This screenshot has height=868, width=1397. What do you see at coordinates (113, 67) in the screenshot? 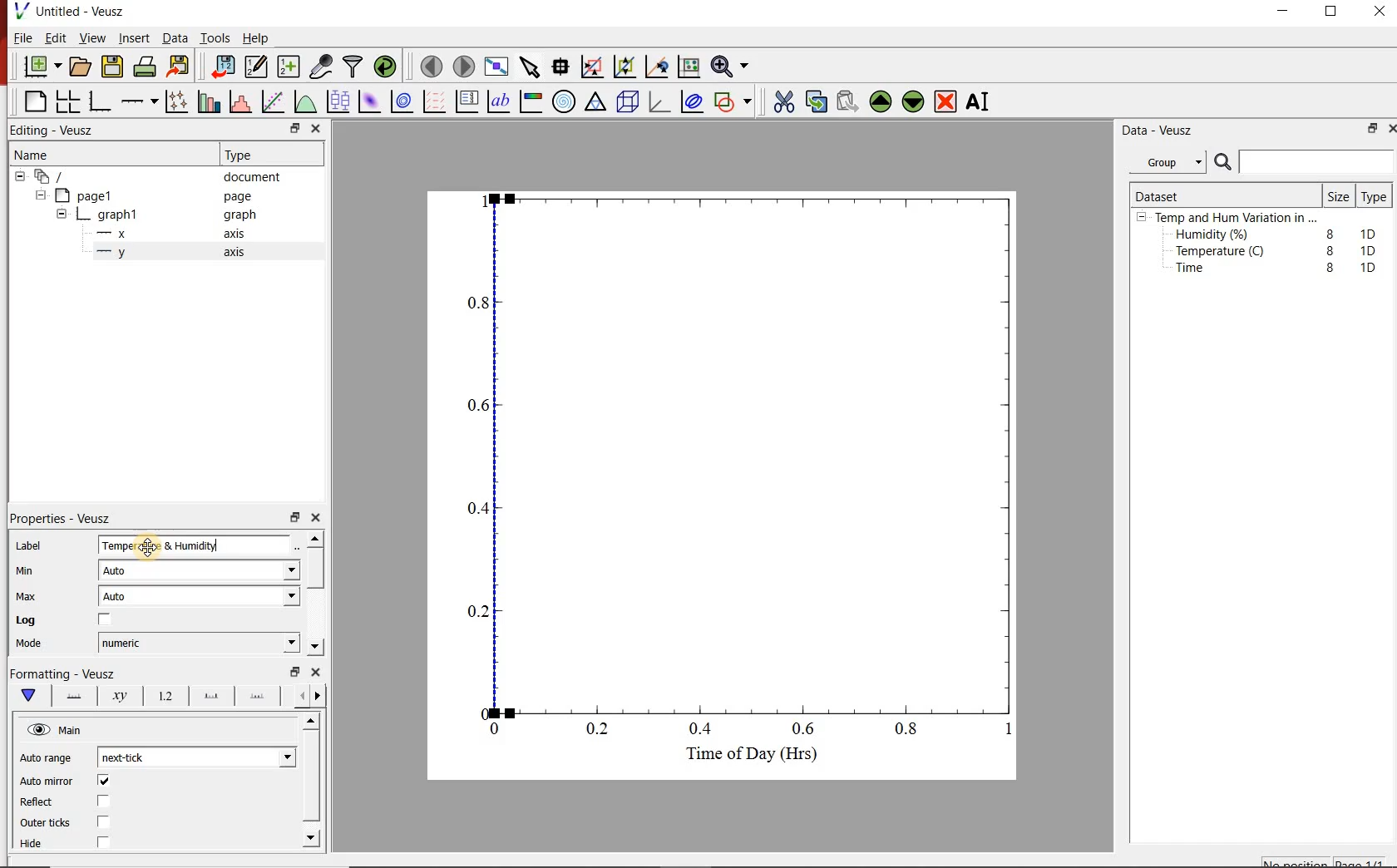
I see `save the document` at bounding box center [113, 67].